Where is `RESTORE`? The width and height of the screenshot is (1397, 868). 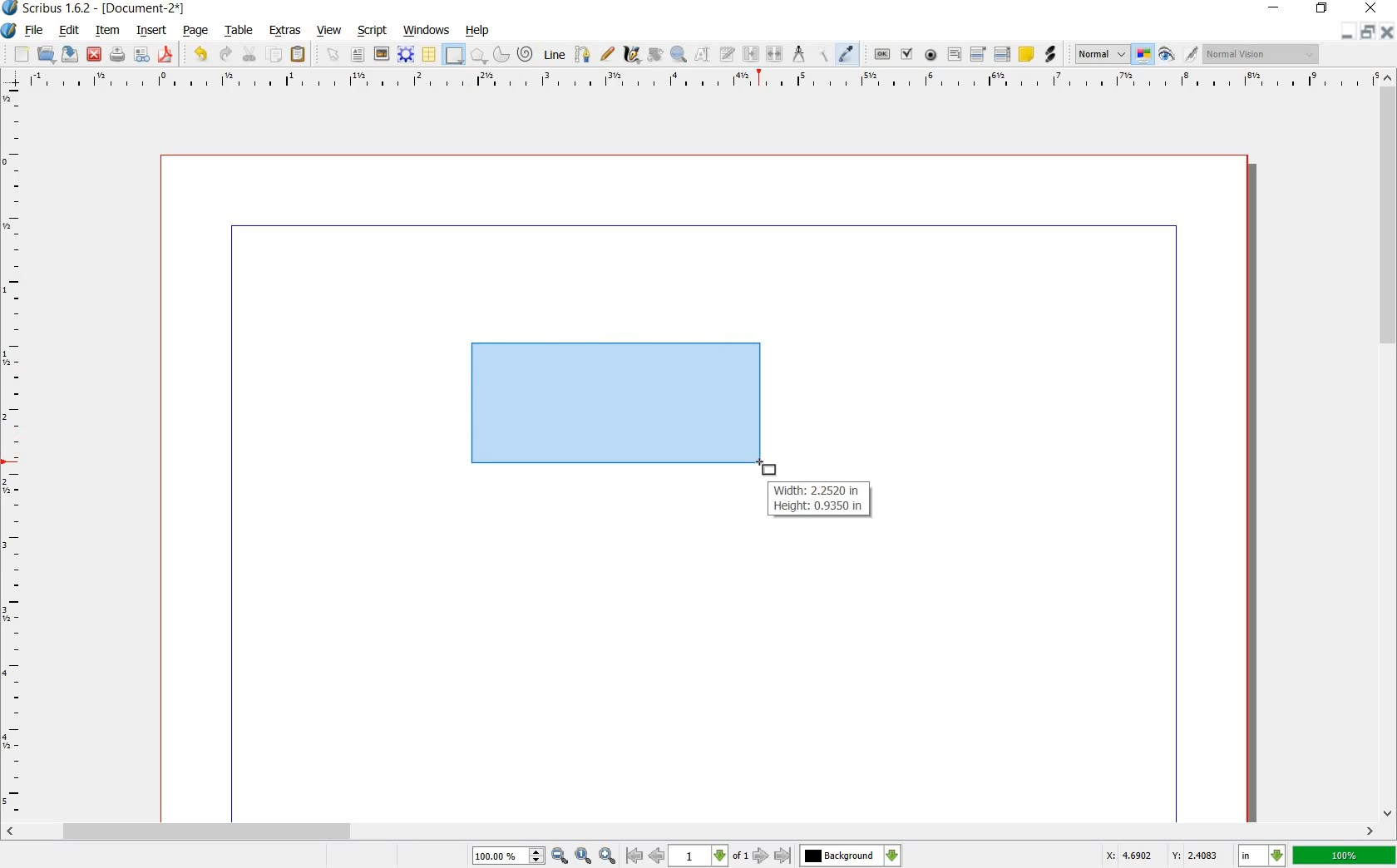
RESTORE is located at coordinates (1370, 32).